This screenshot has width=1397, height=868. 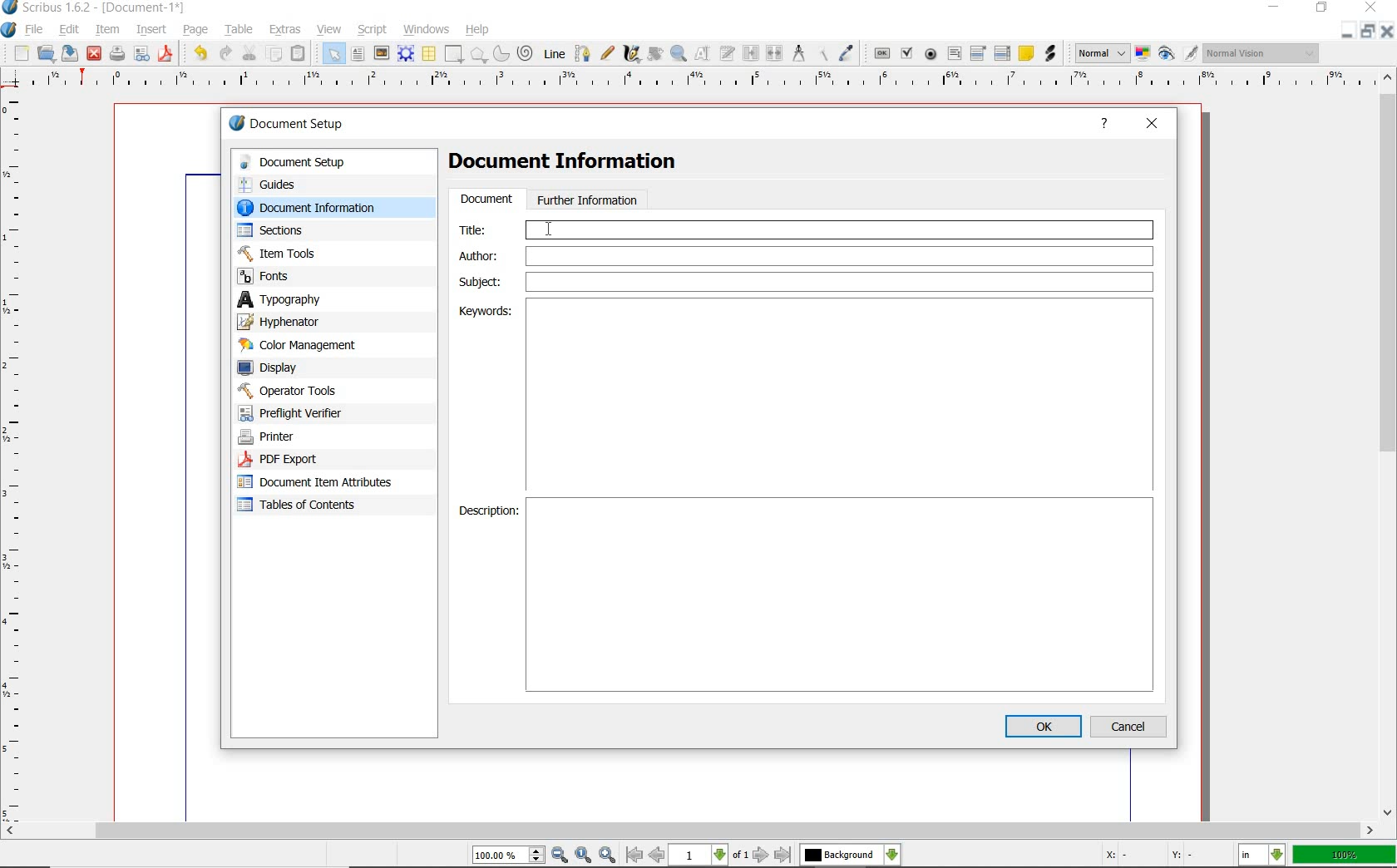 What do you see at coordinates (1102, 54) in the screenshot?
I see `select image preview mode` at bounding box center [1102, 54].